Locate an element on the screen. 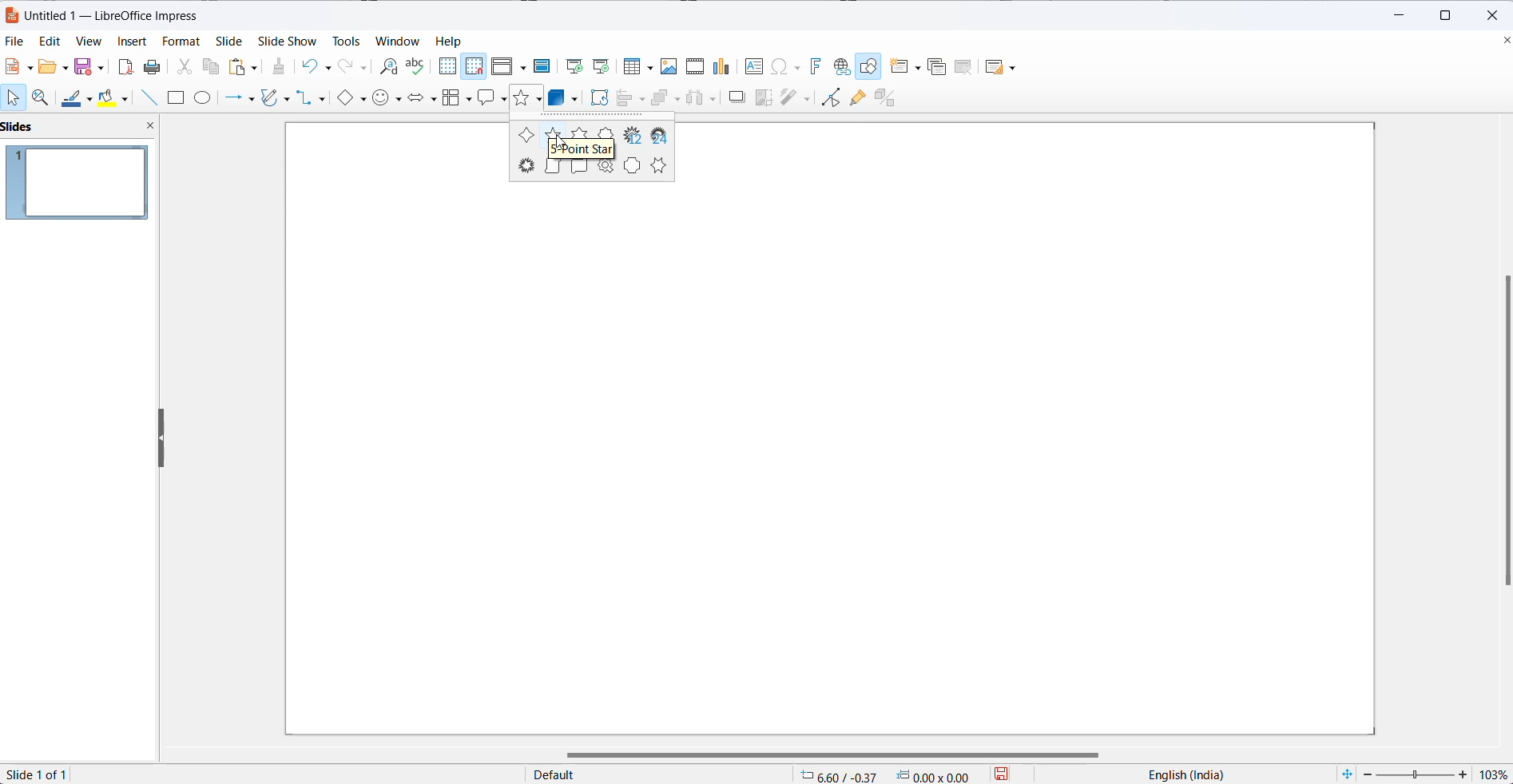 The height and width of the screenshot is (784, 1513). cut is located at coordinates (184, 65).